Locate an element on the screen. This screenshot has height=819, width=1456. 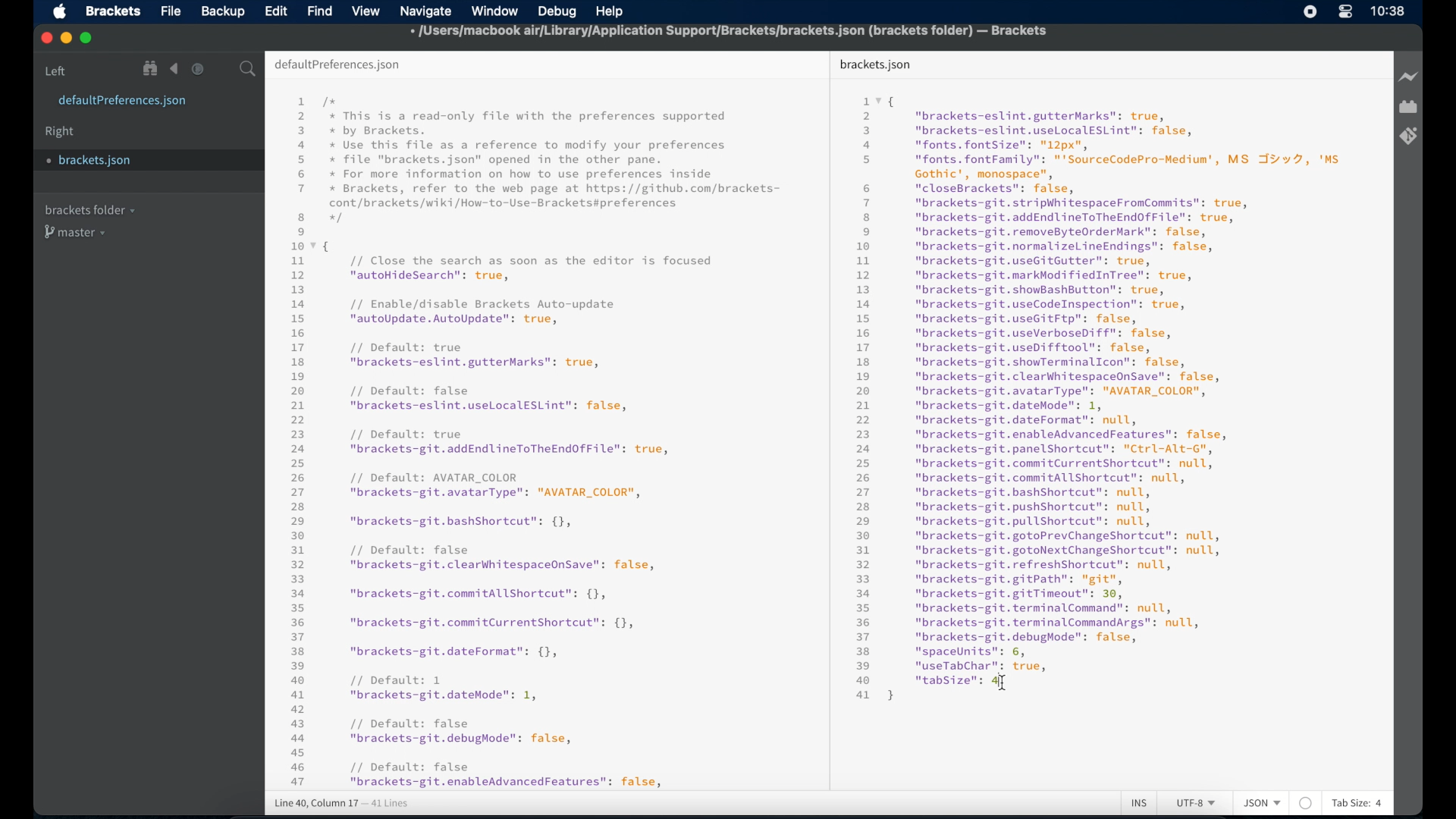
find is located at coordinates (320, 11).